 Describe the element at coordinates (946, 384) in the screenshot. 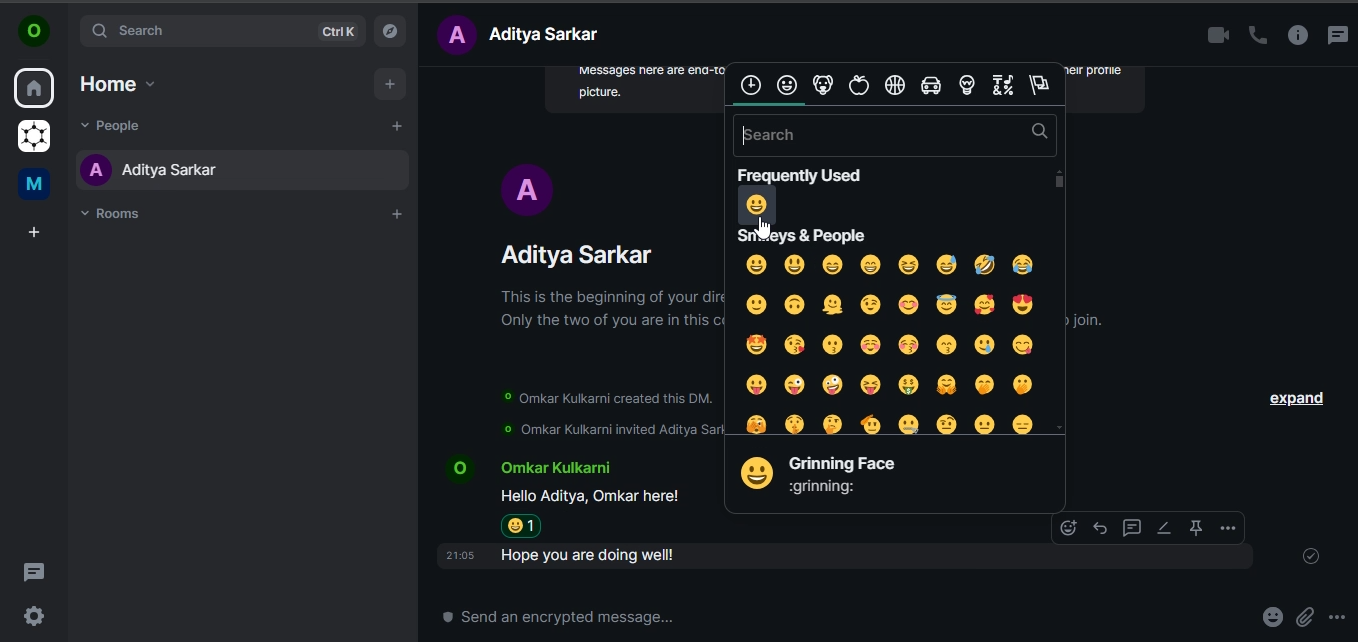

I see `smiling face with open hands` at that location.